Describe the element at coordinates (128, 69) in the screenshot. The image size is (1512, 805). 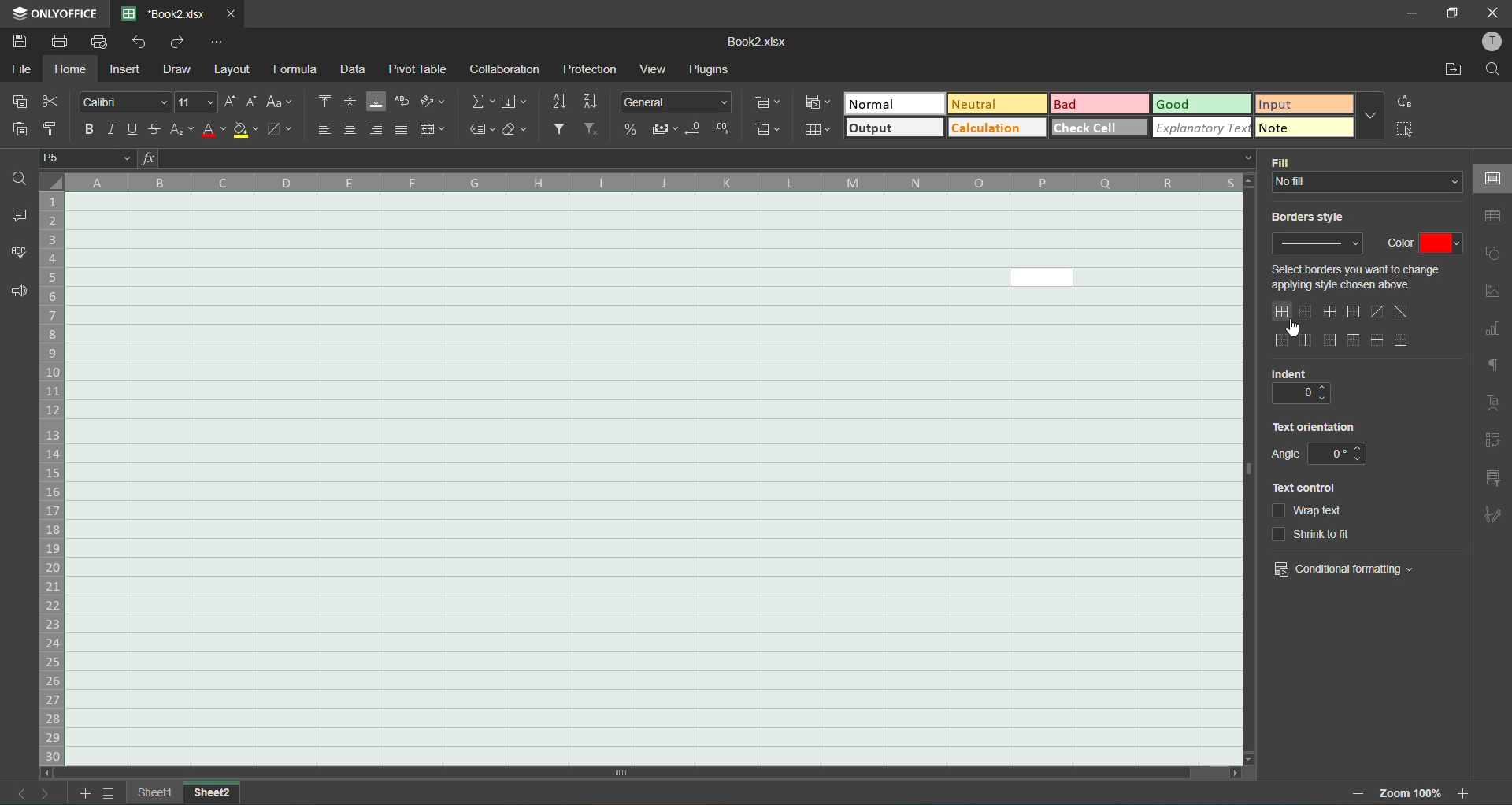
I see `insert` at that location.